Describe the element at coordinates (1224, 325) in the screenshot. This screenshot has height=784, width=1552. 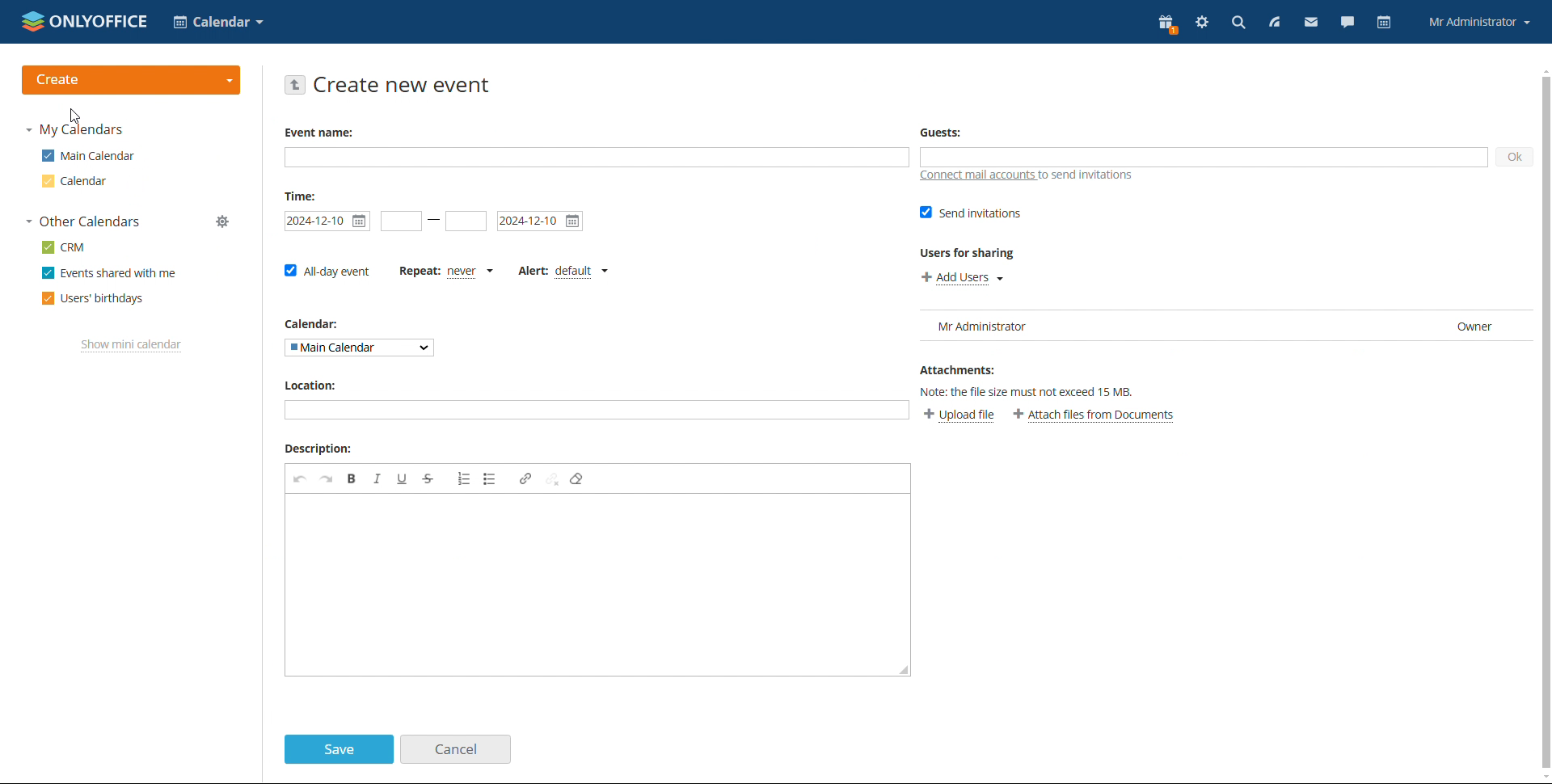
I see `user list` at that location.